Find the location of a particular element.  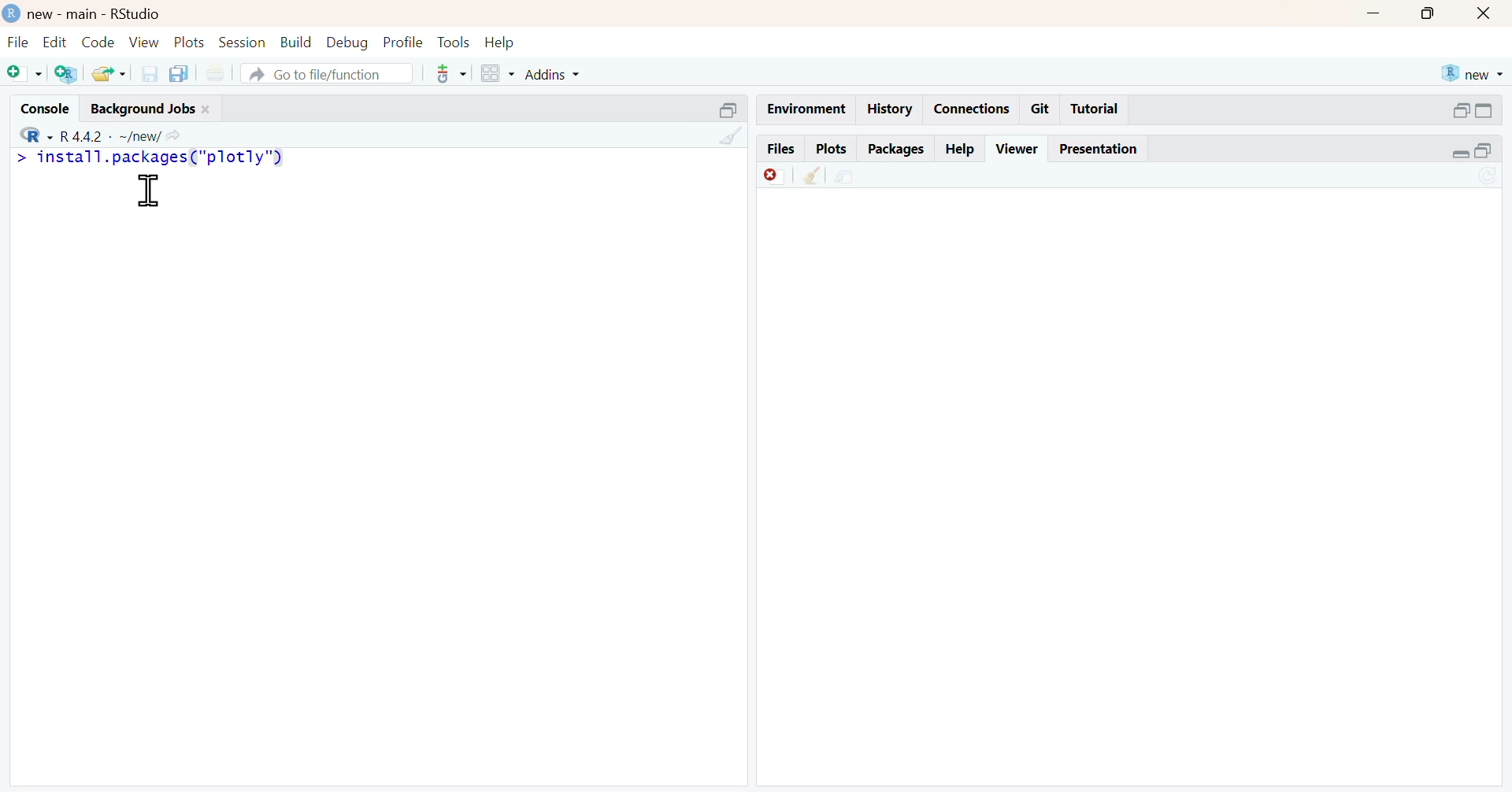

git is located at coordinates (1041, 109).